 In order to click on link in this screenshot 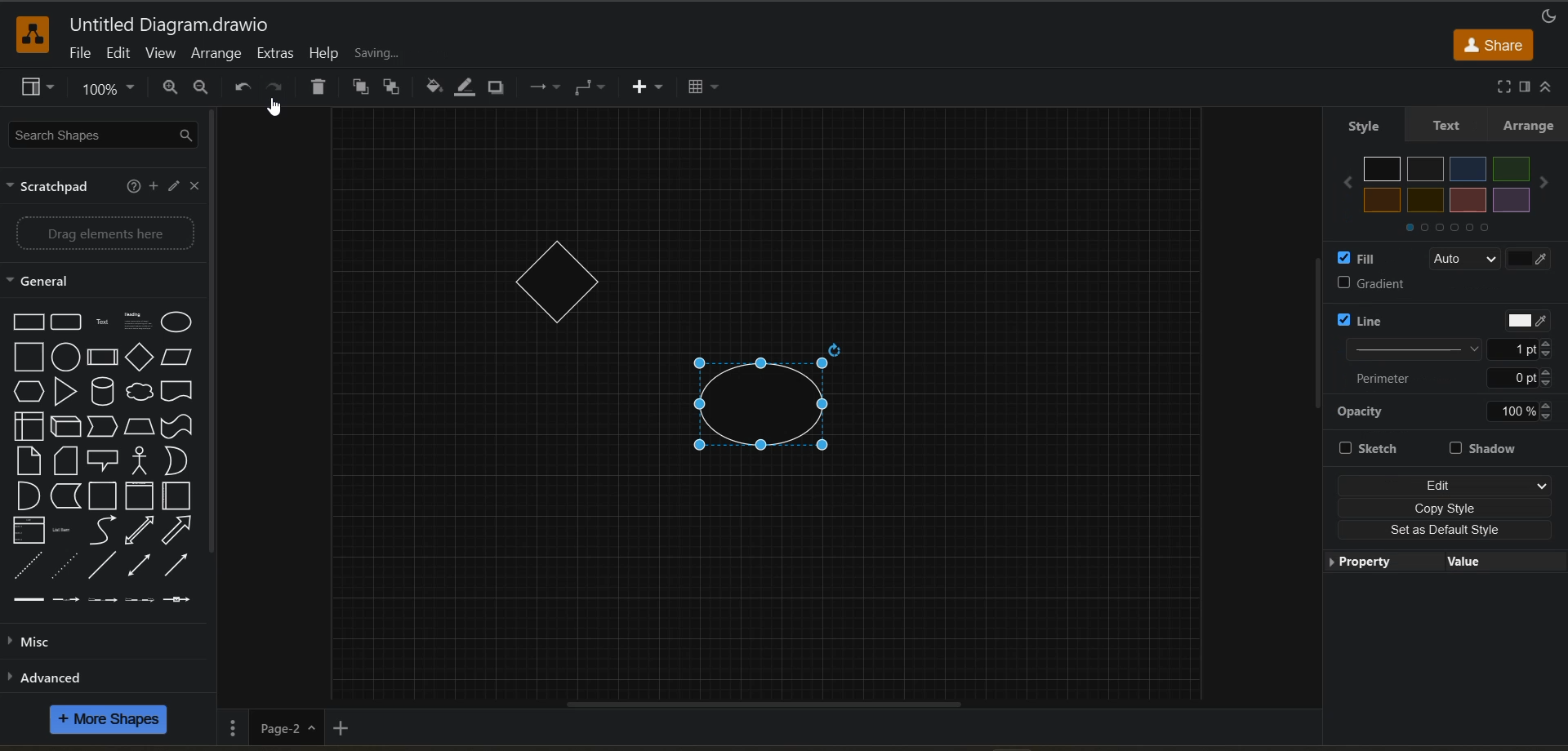, I will do `click(30, 601)`.